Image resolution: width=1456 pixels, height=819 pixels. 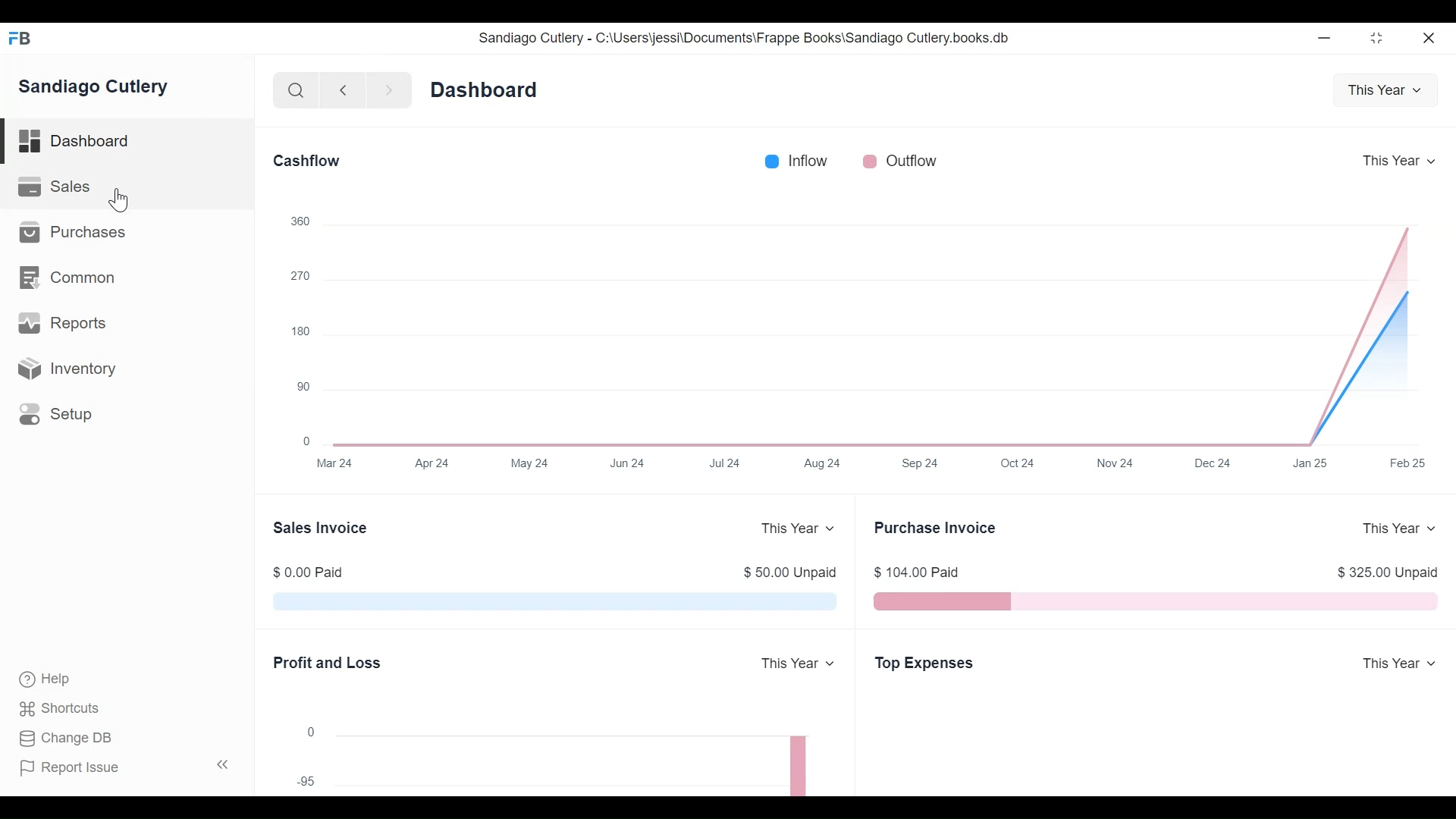 What do you see at coordinates (56, 413) in the screenshot?
I see `Setup` at bounding box center [56, 413].